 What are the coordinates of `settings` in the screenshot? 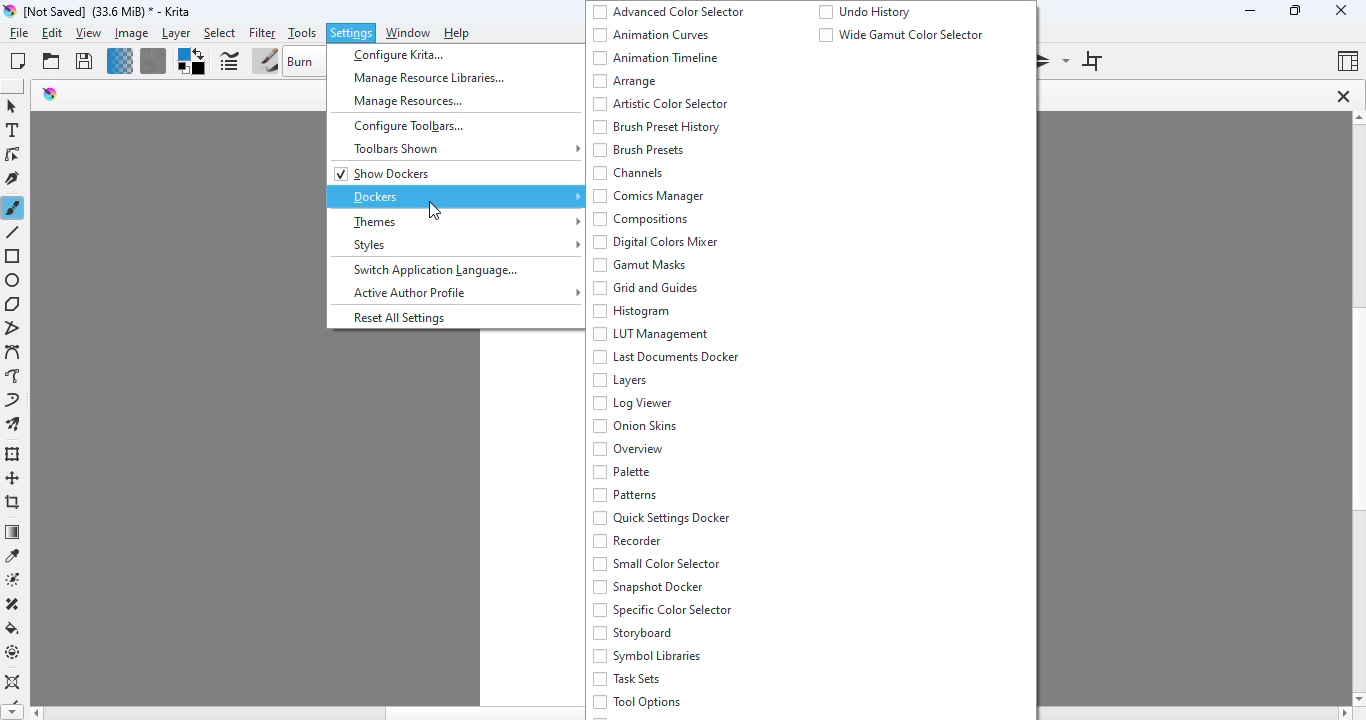 It's located at (352, 33).